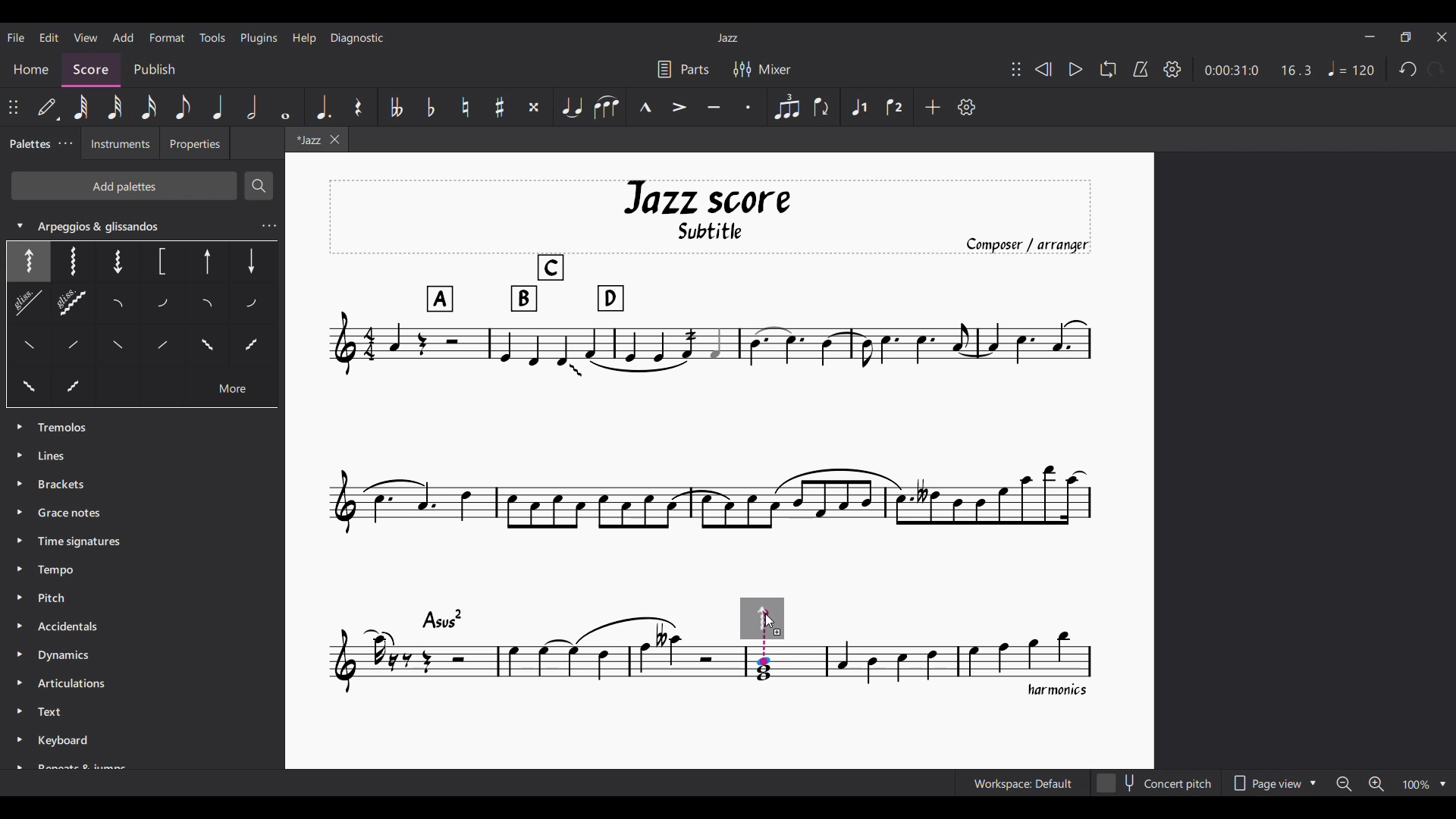 This screenshot has height=819, width=1456. What do you see at coordinates (934, 107) in the screenshot?
I see `Add` at bounding box center [934, 107].